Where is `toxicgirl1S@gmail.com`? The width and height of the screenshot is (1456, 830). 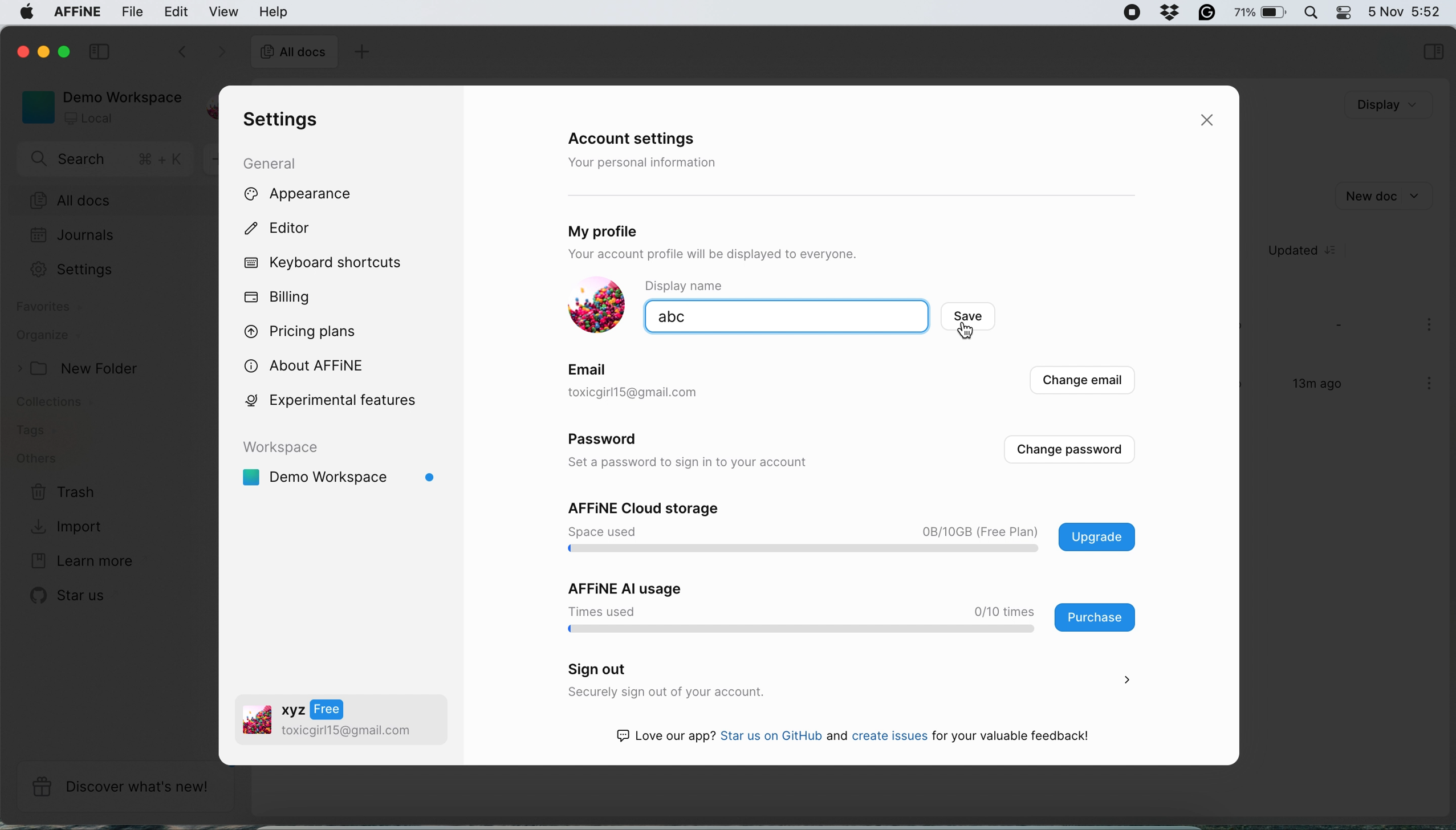 toxicgirl1S@gmail.com is located at coordinates (654, 393).